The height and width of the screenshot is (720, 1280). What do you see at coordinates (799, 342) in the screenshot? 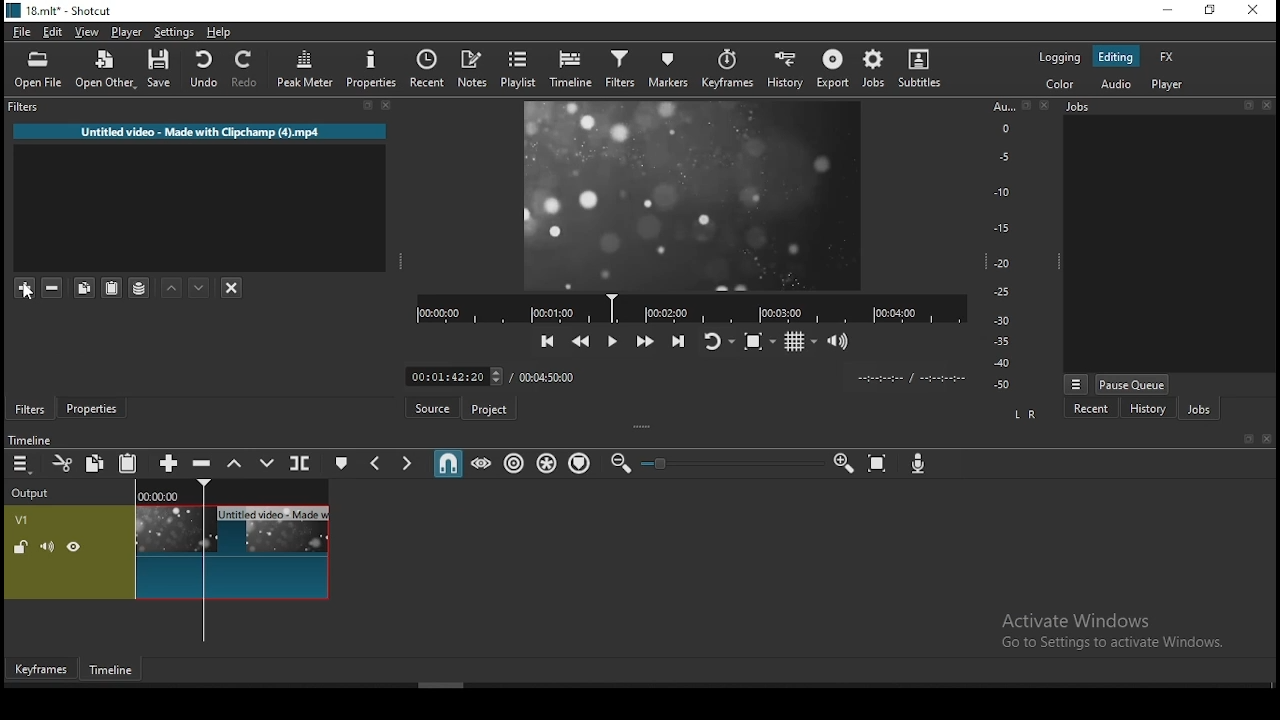
I see `toggle grids display` at bounding box center [799, 342].